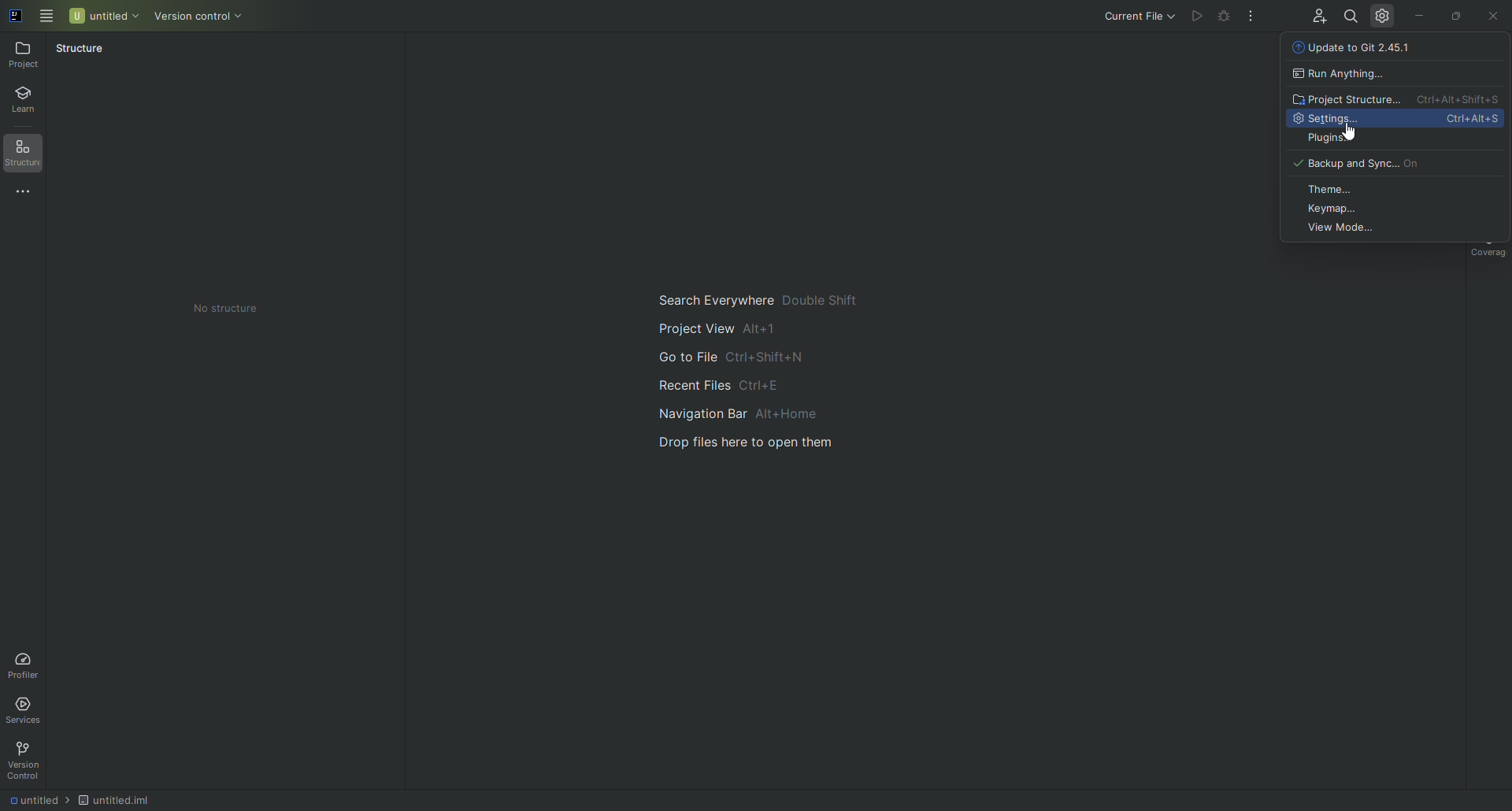 The image size is (1512, 811). Describe the element at coordinates (1422, 15) in the screenshot. I see `Minimize` at that location.